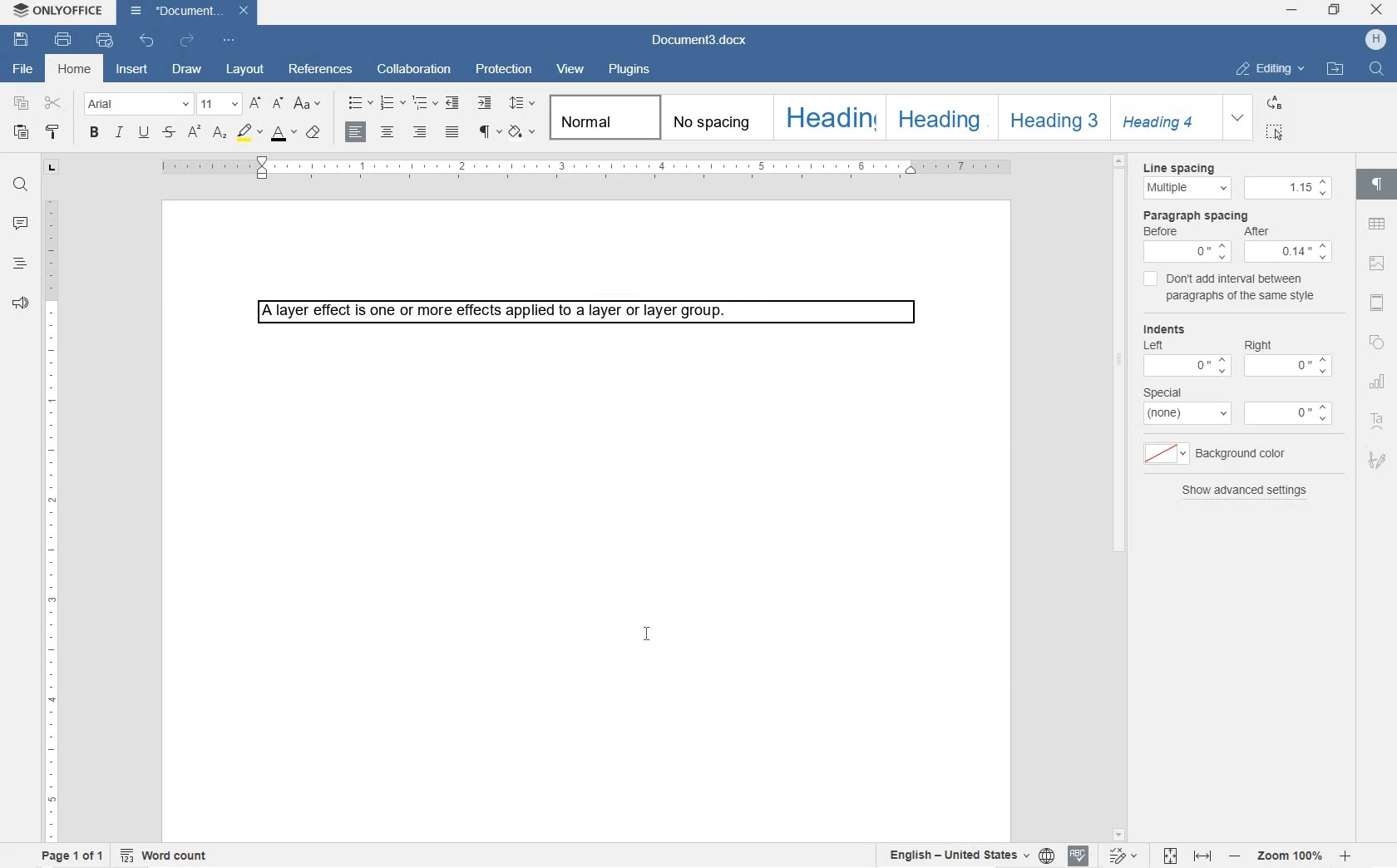 The height and width of the screenshot is (868, 1397). What do you see at coordinates (592, 315) in the screenshot?
I see `A layer effect is one or more effects applied to a layer or layer group.` at bounding box center [592, 315].